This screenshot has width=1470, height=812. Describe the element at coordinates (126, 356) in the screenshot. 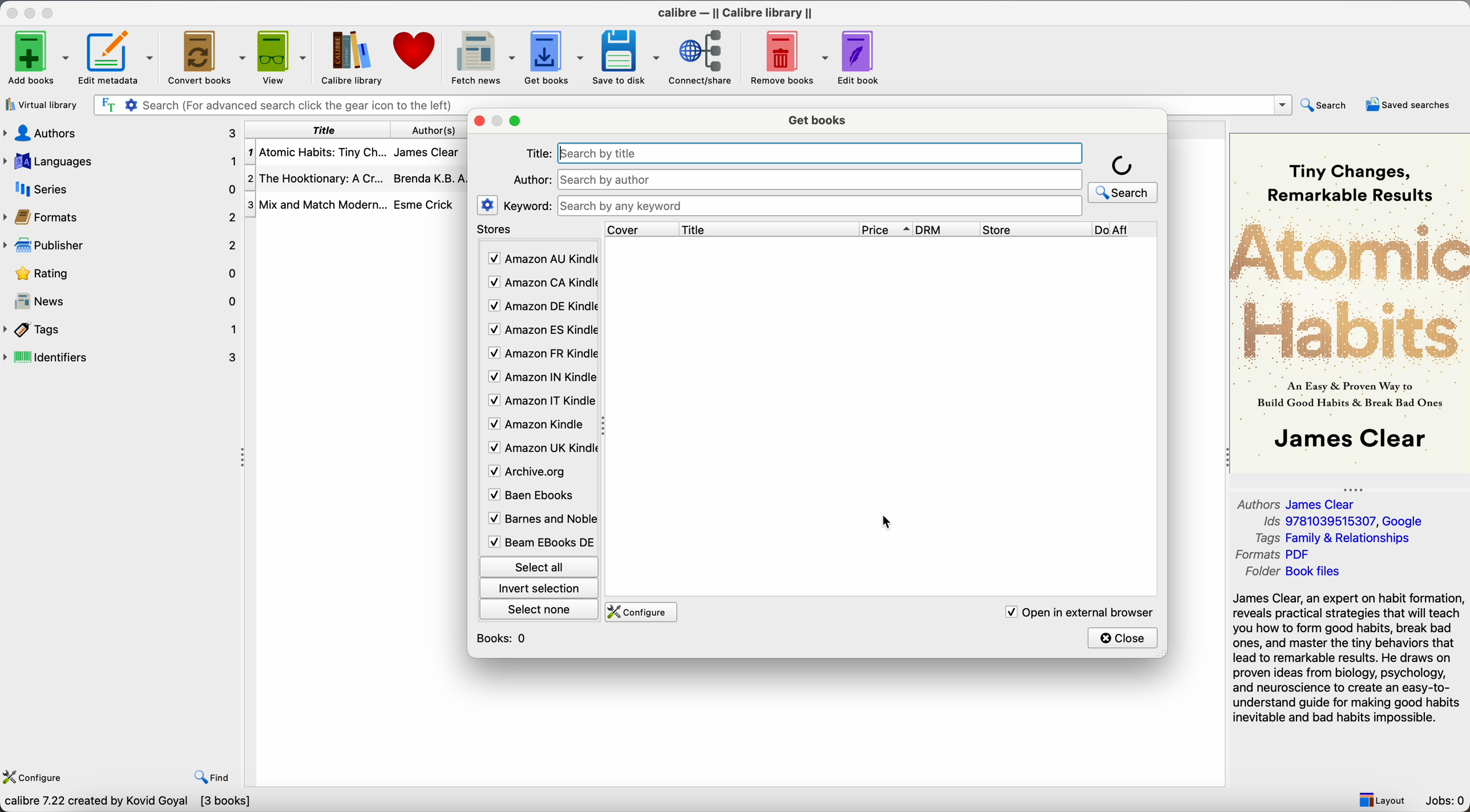

I see `identifiers` at that location.